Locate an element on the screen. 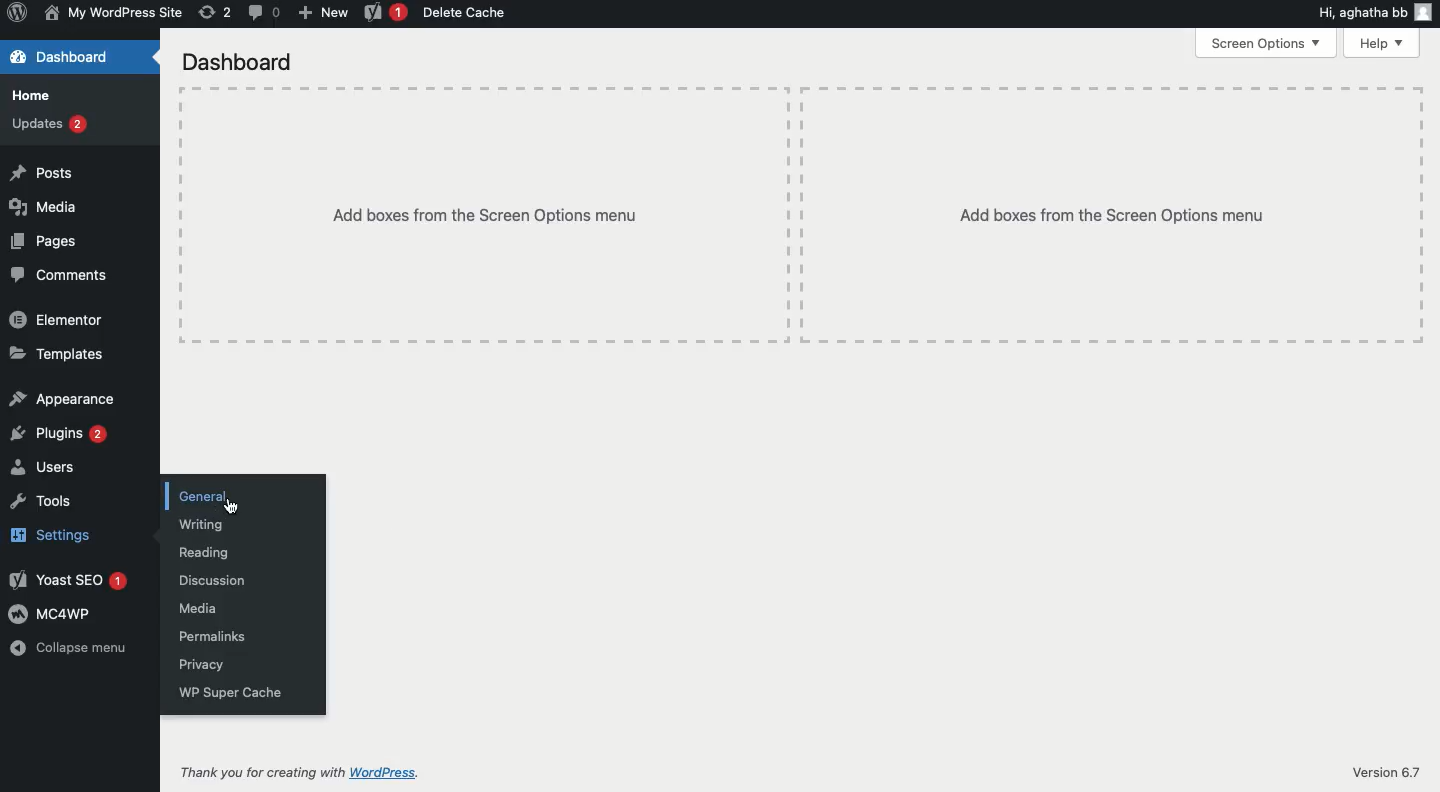 Image resolution: width=1440 pixels, height=792 pixels. Thank you for creating with is located at coordinates (262, 769).